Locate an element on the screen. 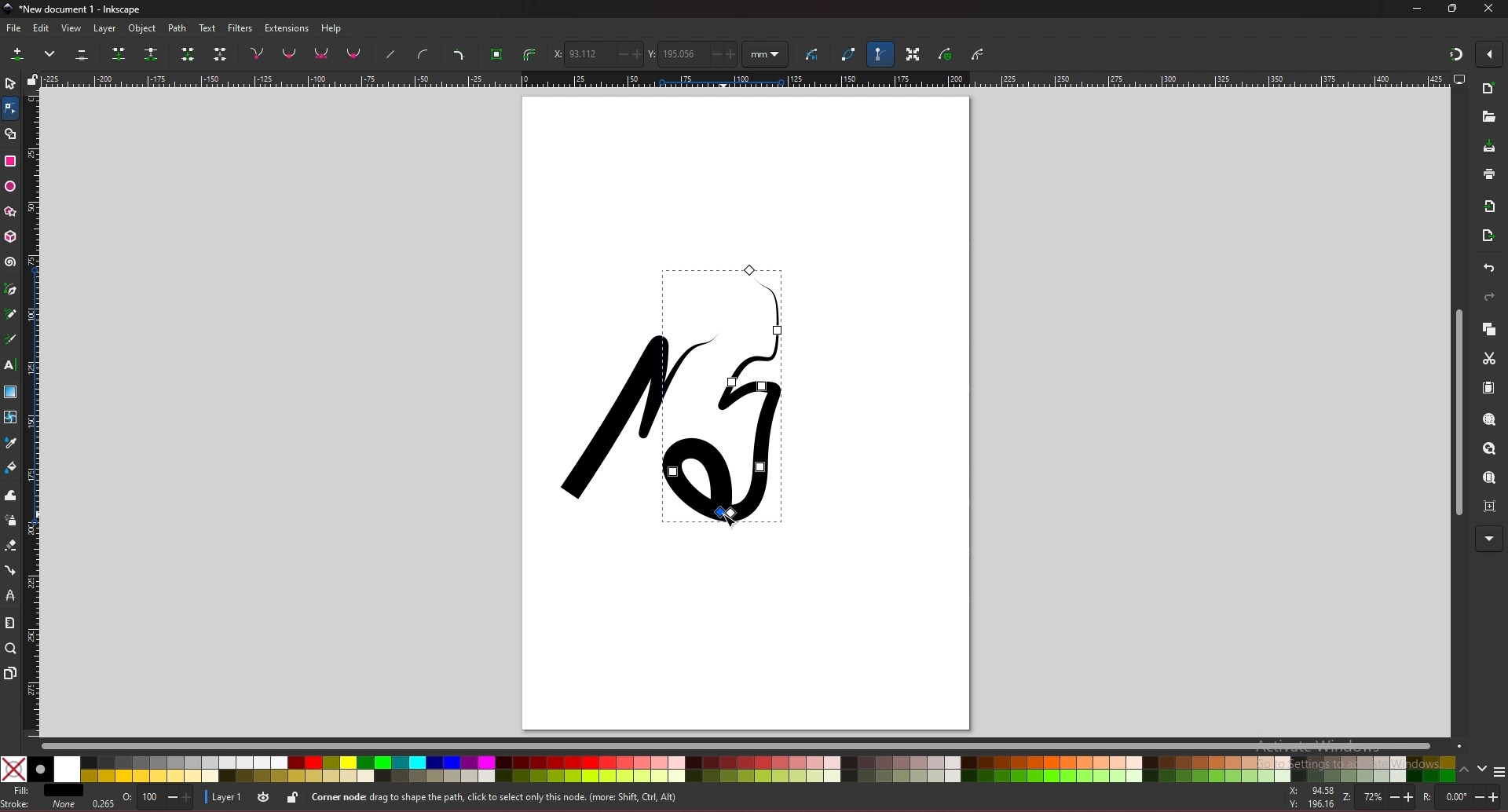 This screenshot has width=1508, height=812. layer is located at coordinates (108, 29).